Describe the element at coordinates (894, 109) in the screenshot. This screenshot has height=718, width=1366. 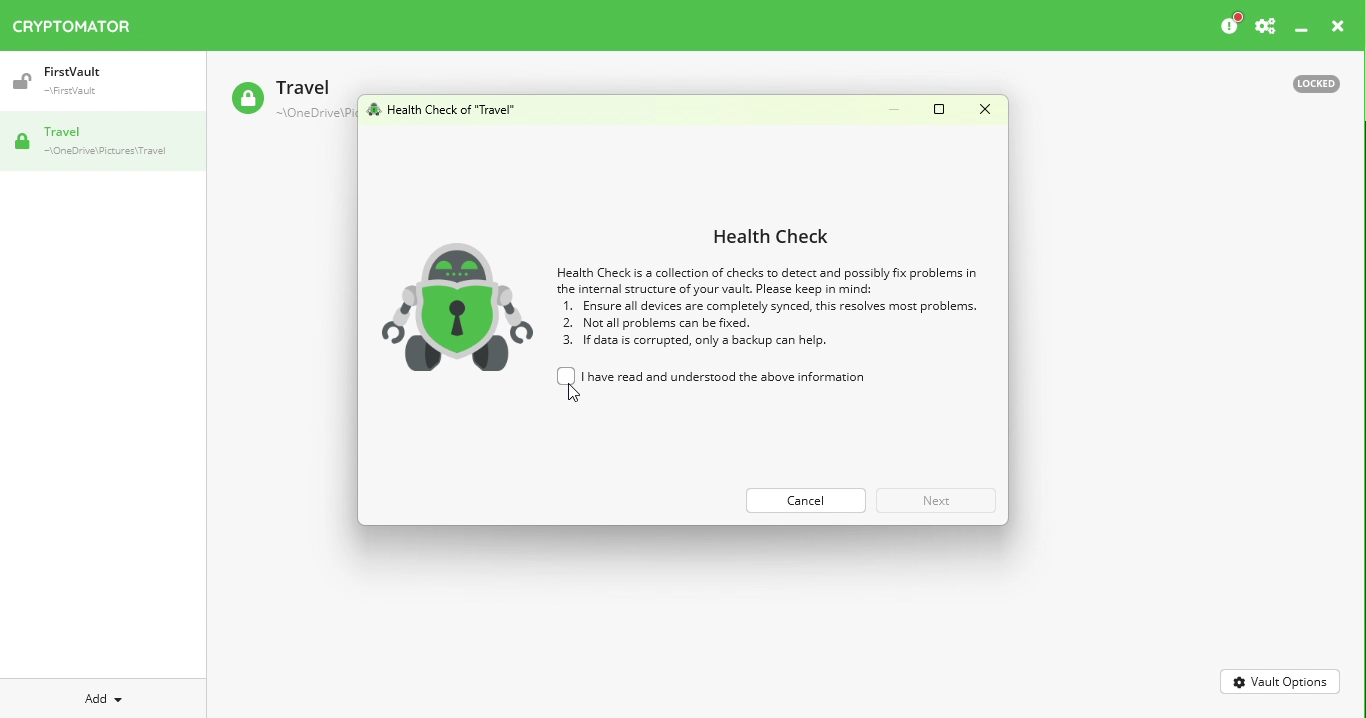
I see `Minimize` at that location.